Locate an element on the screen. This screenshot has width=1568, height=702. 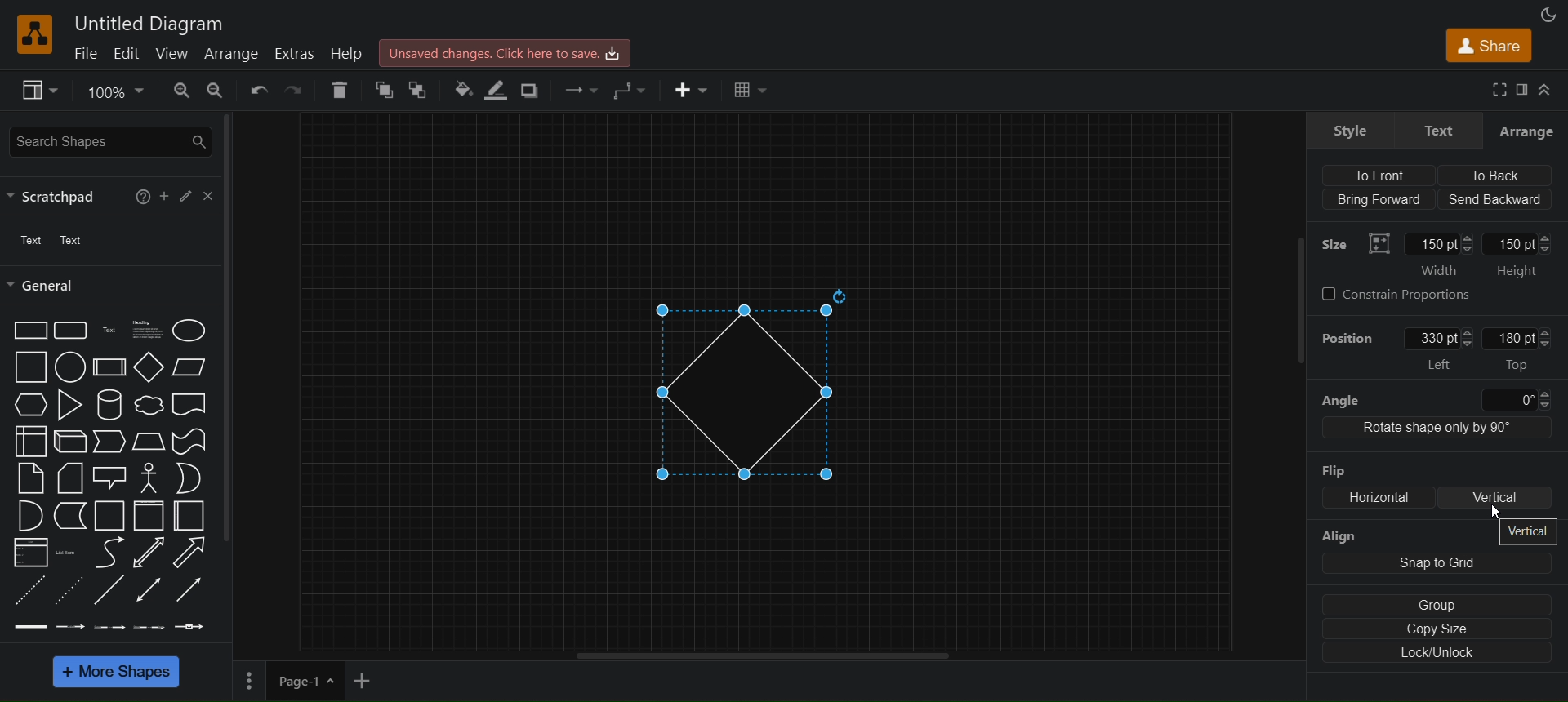
file is located at coordinates (90, 53).